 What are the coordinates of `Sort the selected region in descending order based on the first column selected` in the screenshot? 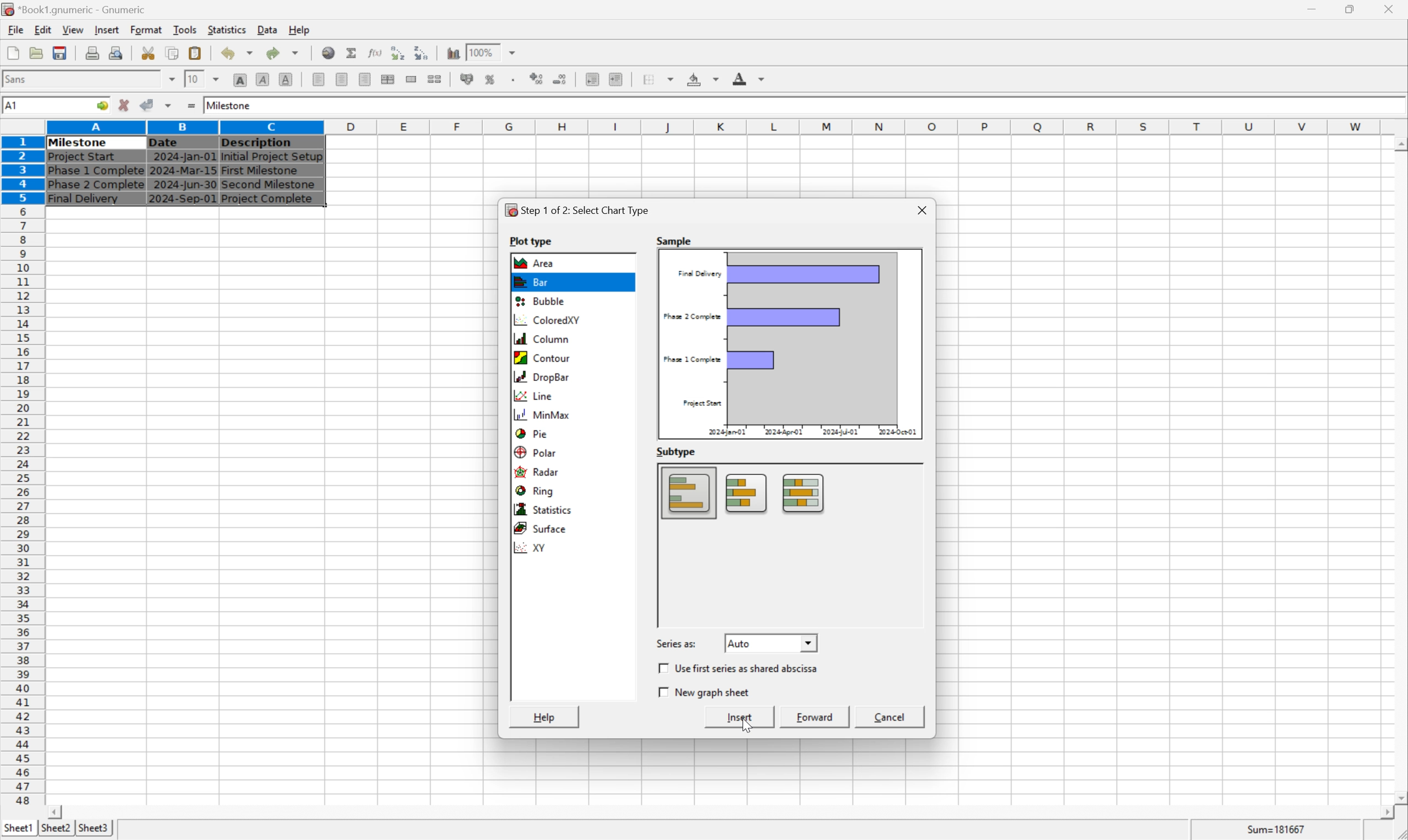 It's located at (422, 53).